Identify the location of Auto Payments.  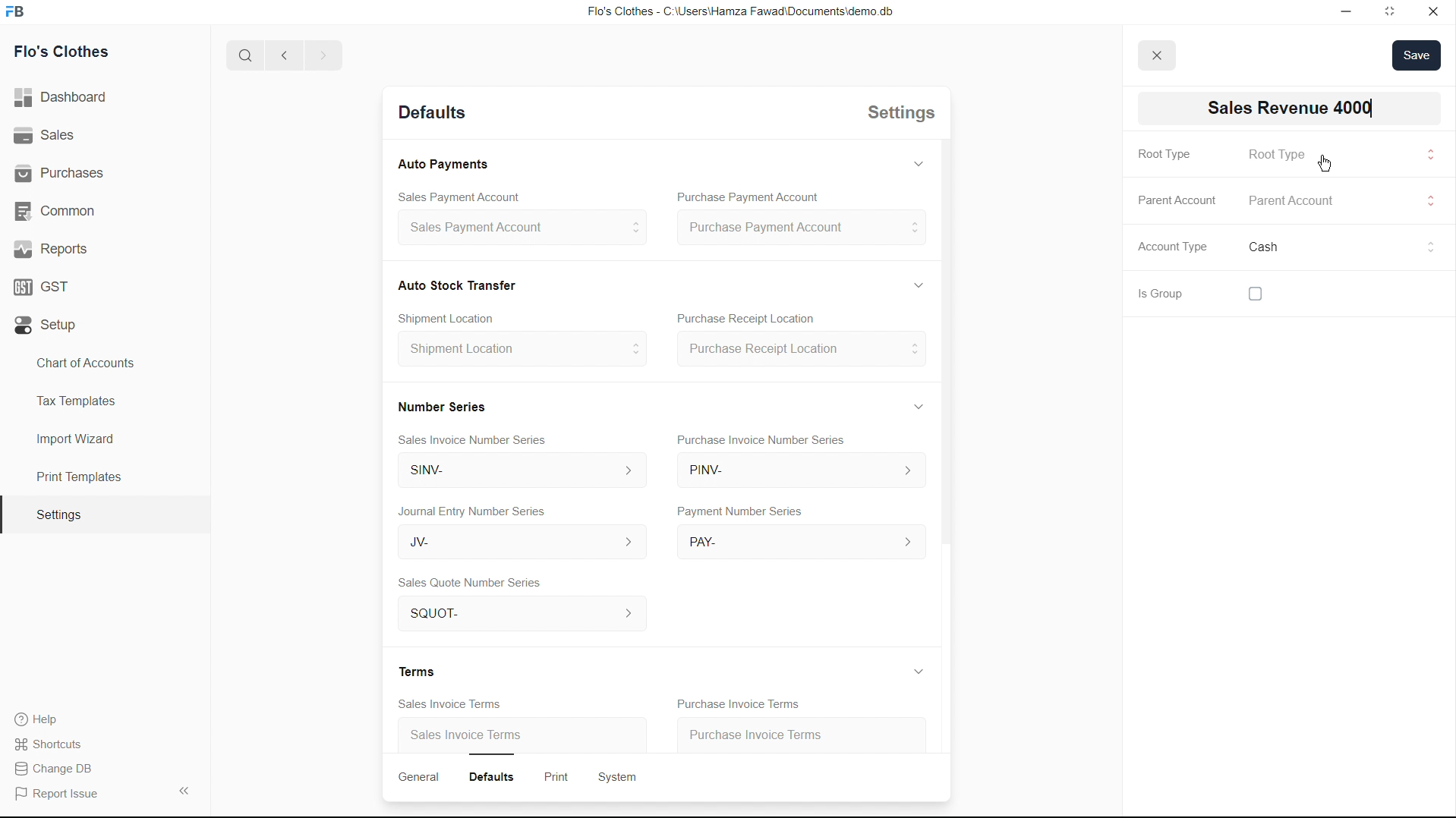
(443, 165).